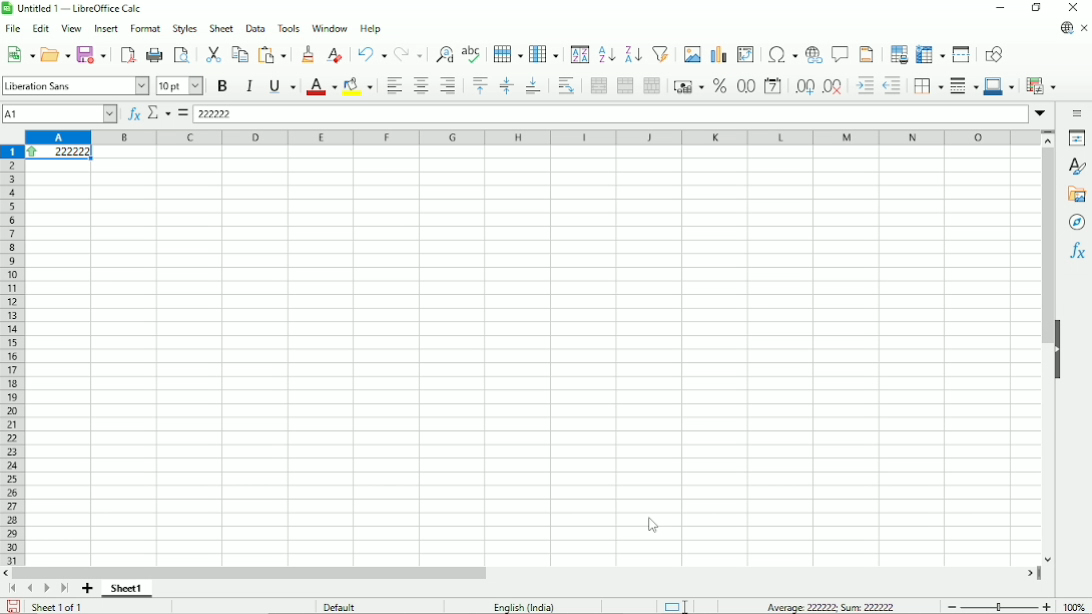  Describe the element at coordinates (1078, 112) in the screenshot. I see `Sidebar settings` at that location.